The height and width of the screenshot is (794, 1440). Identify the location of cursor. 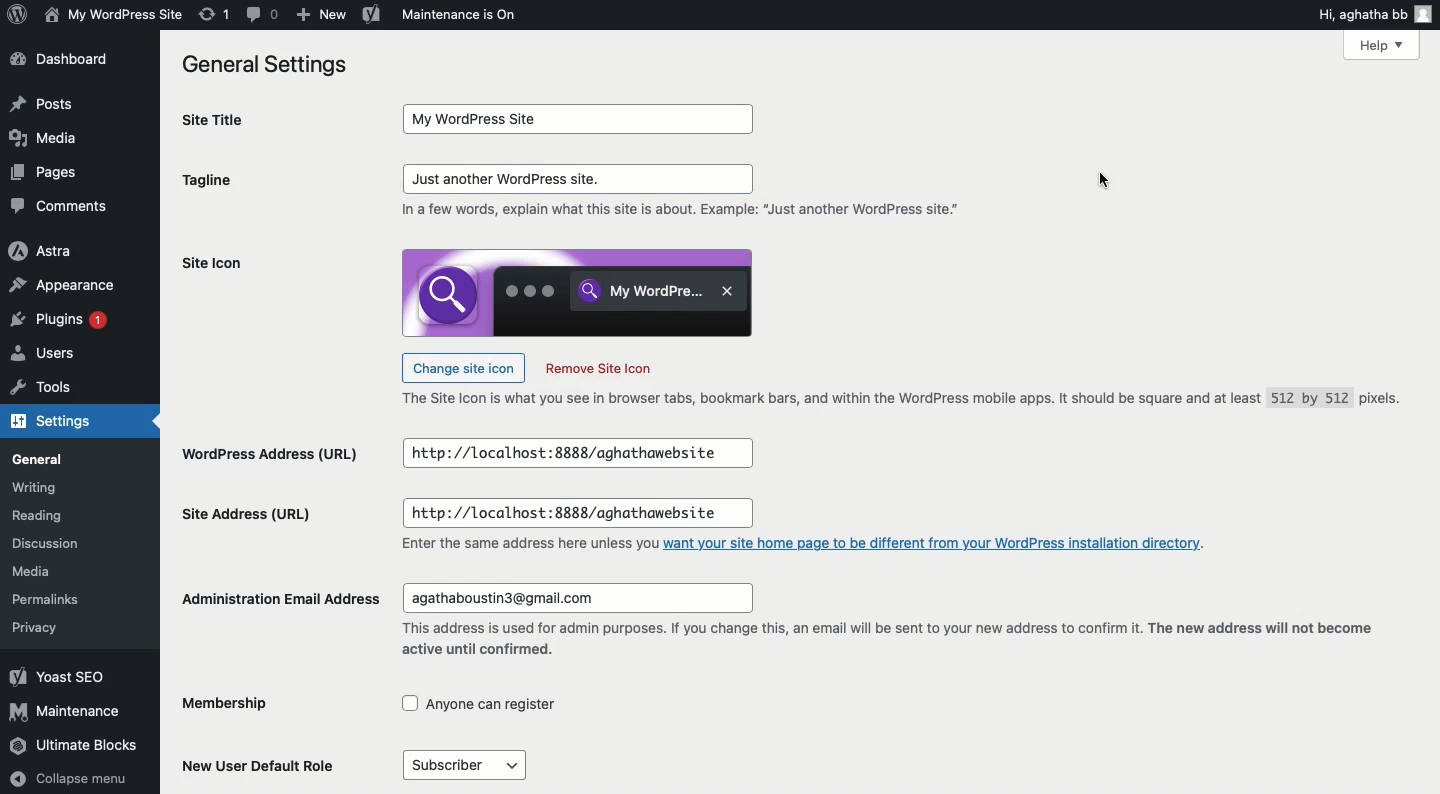
(1105, 184).